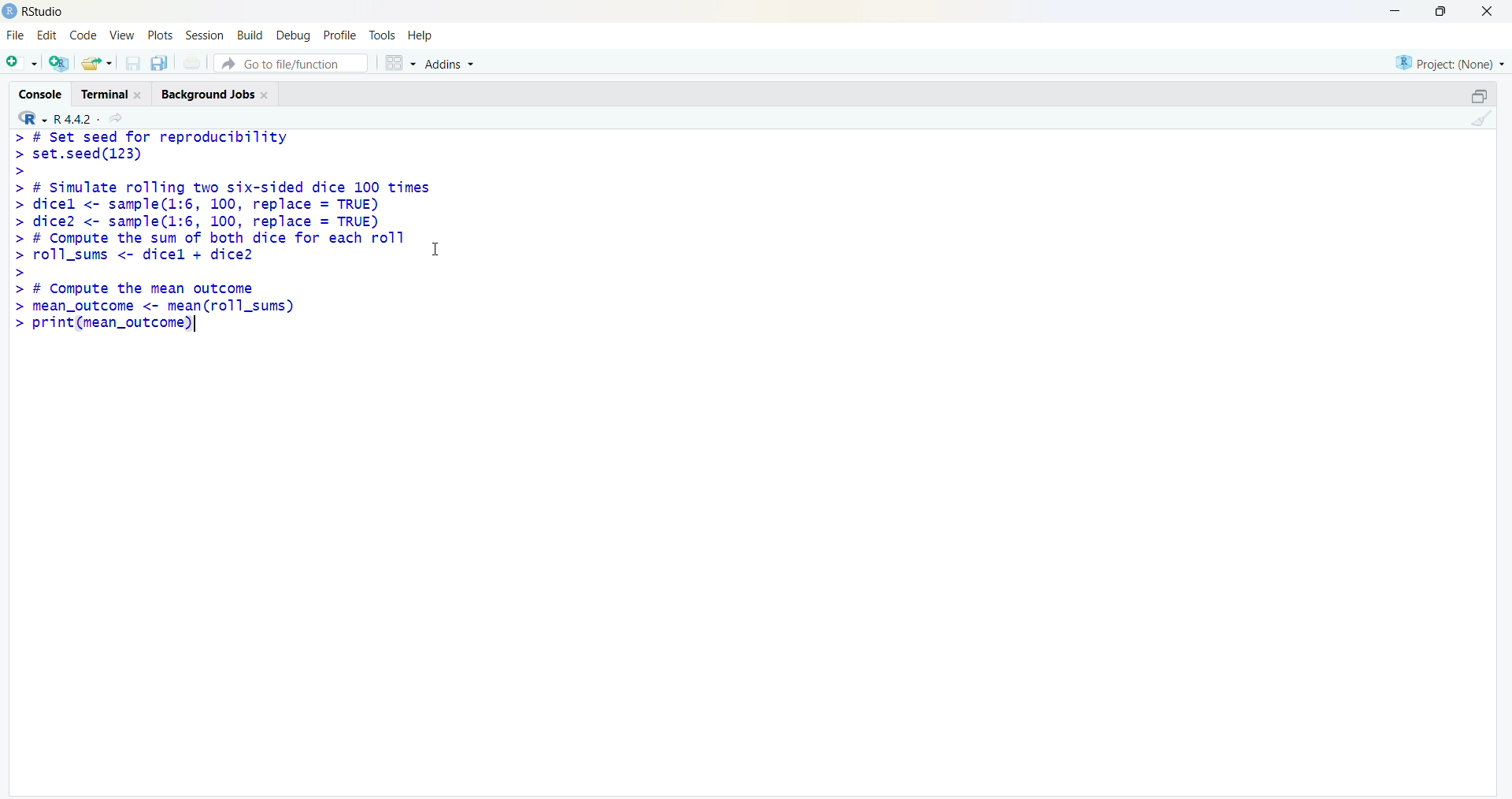 This screenshot has height=799, width=1512. Describe the element at coordinates (192, 62) in the screenshot. I see `print` at that location.